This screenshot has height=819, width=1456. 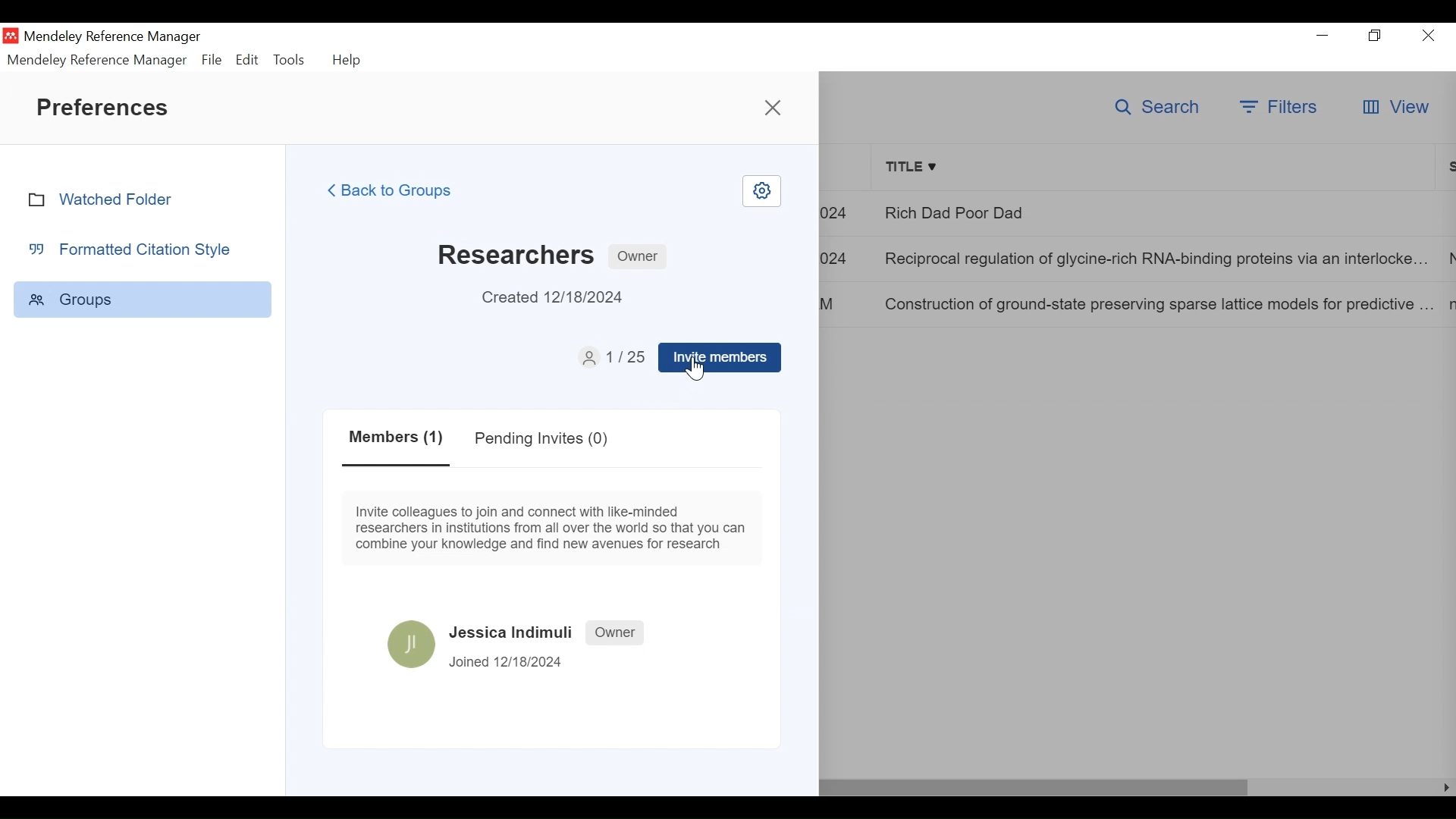 I want to click on Rich Dad Poor Dad, so click(x=1158, y=212).